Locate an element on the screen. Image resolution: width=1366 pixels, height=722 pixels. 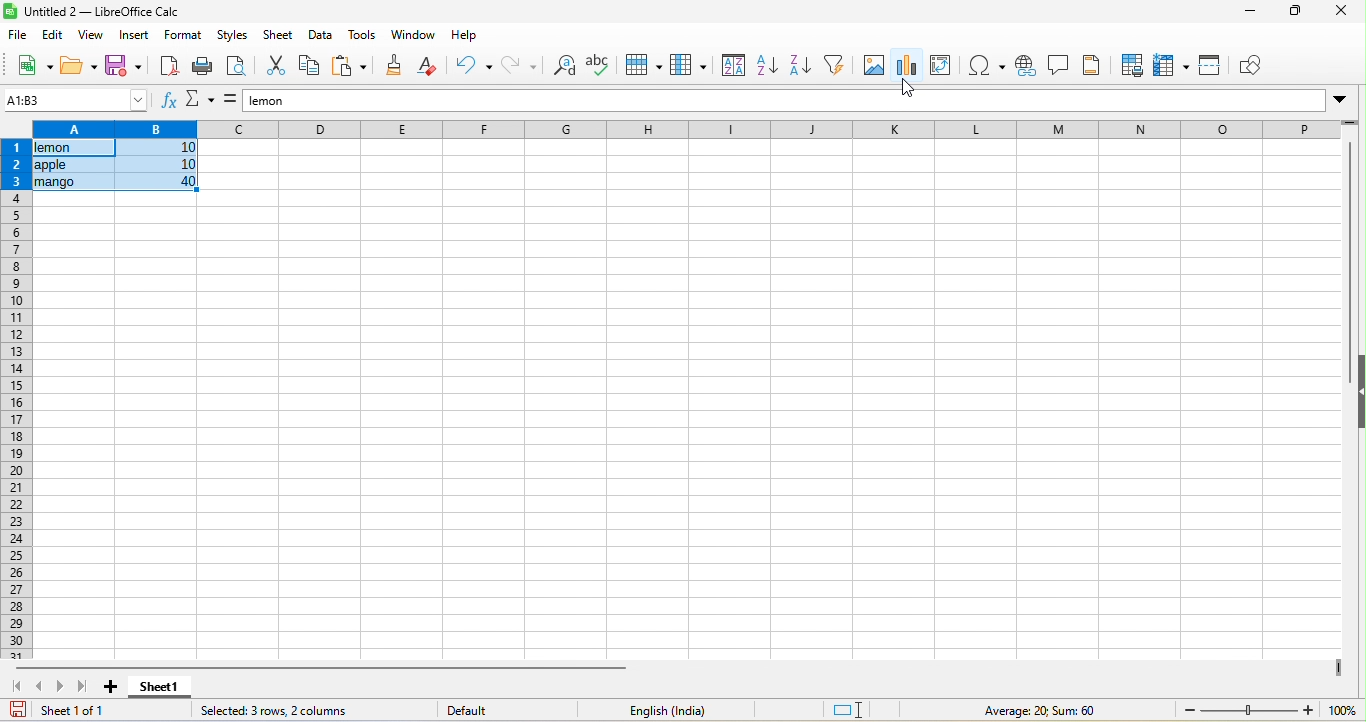
rows is located at coordinates (15, 399).